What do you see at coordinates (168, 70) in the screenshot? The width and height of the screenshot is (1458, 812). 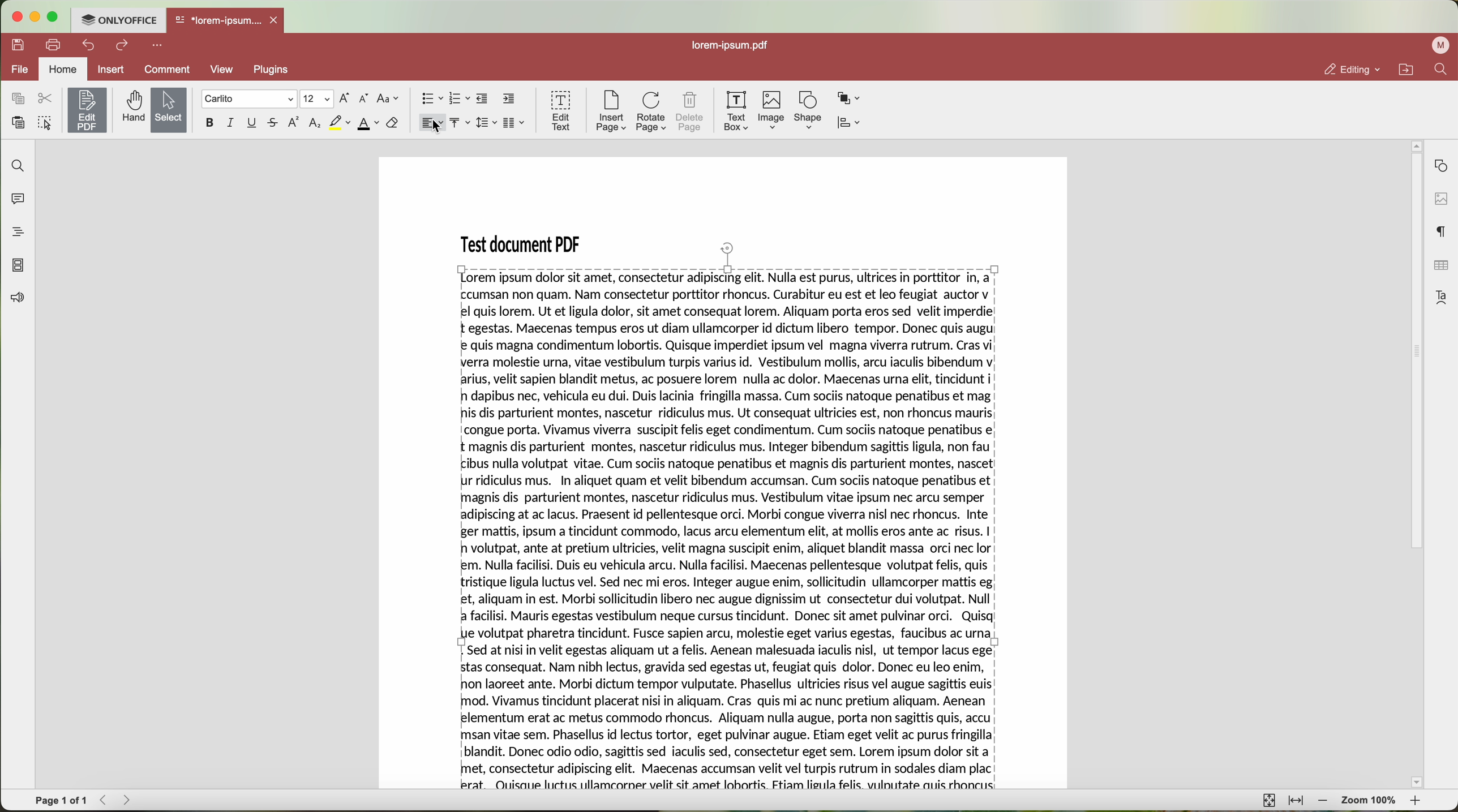 I see `comment` at bounding box center [168, 70].